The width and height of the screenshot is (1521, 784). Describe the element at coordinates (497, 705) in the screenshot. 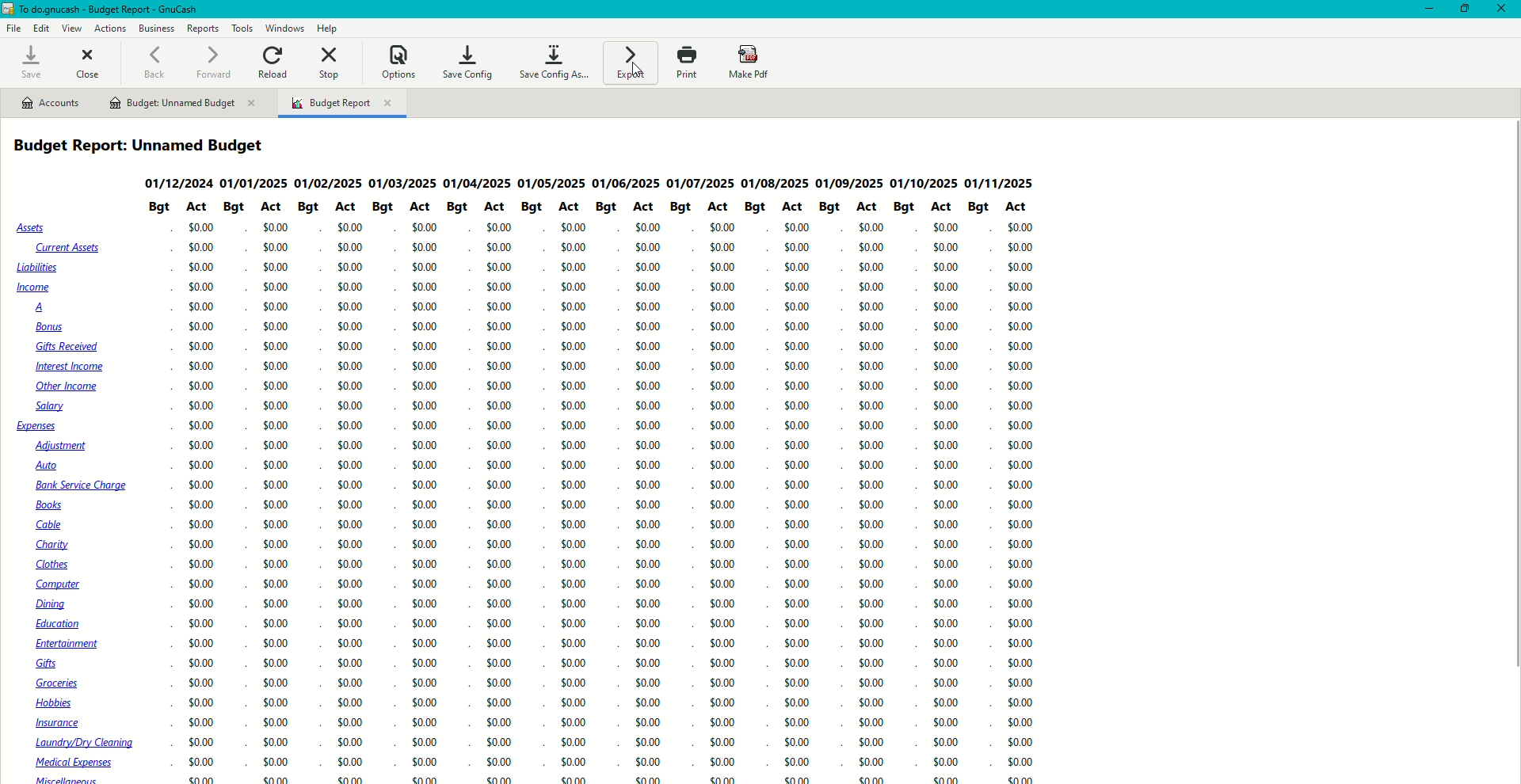

I see `$0.00` at that location.